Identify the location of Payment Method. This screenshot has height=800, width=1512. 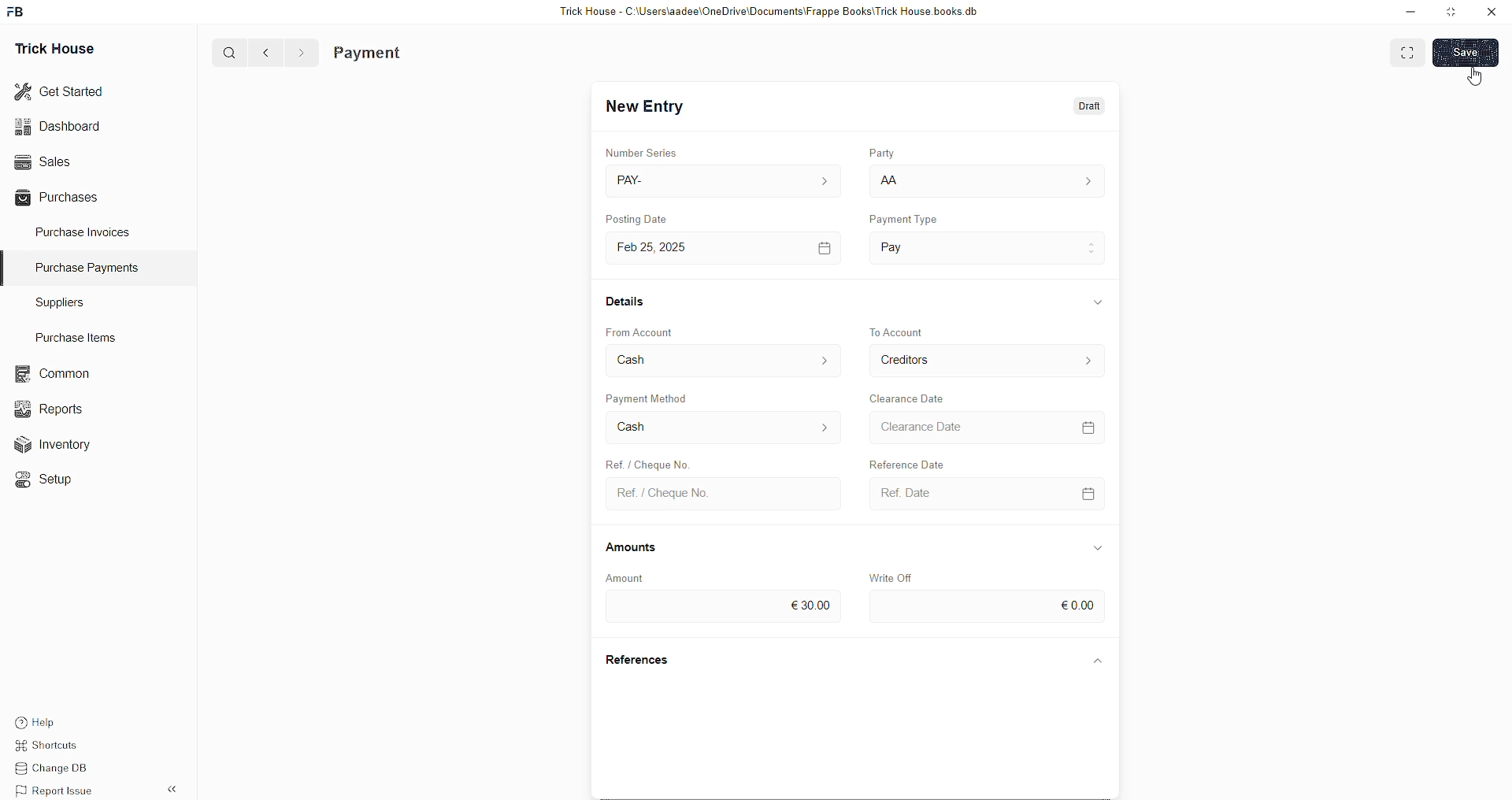
(683, 401).